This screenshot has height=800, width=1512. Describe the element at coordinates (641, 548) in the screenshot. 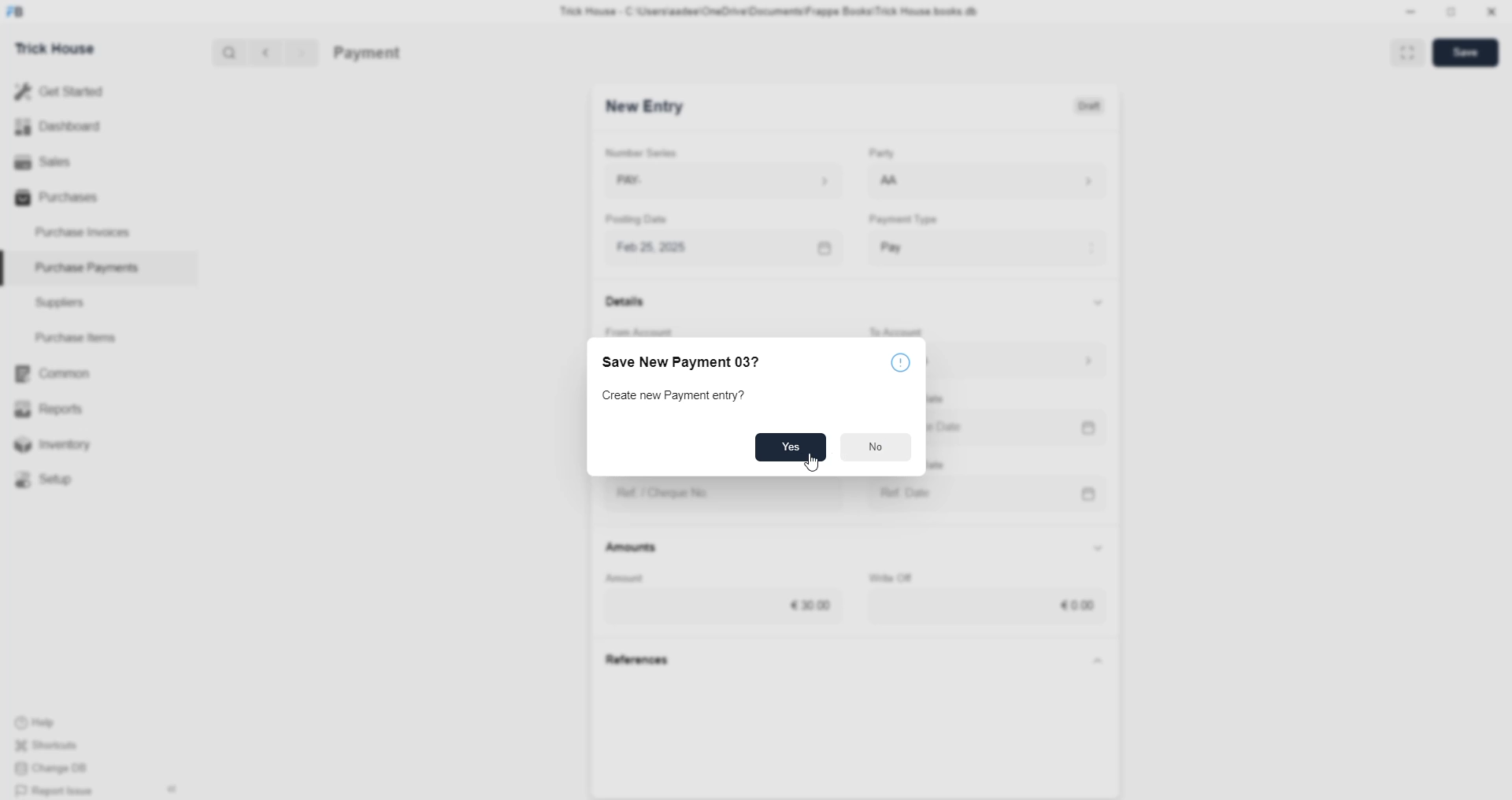

I see `Amounts` at that location.